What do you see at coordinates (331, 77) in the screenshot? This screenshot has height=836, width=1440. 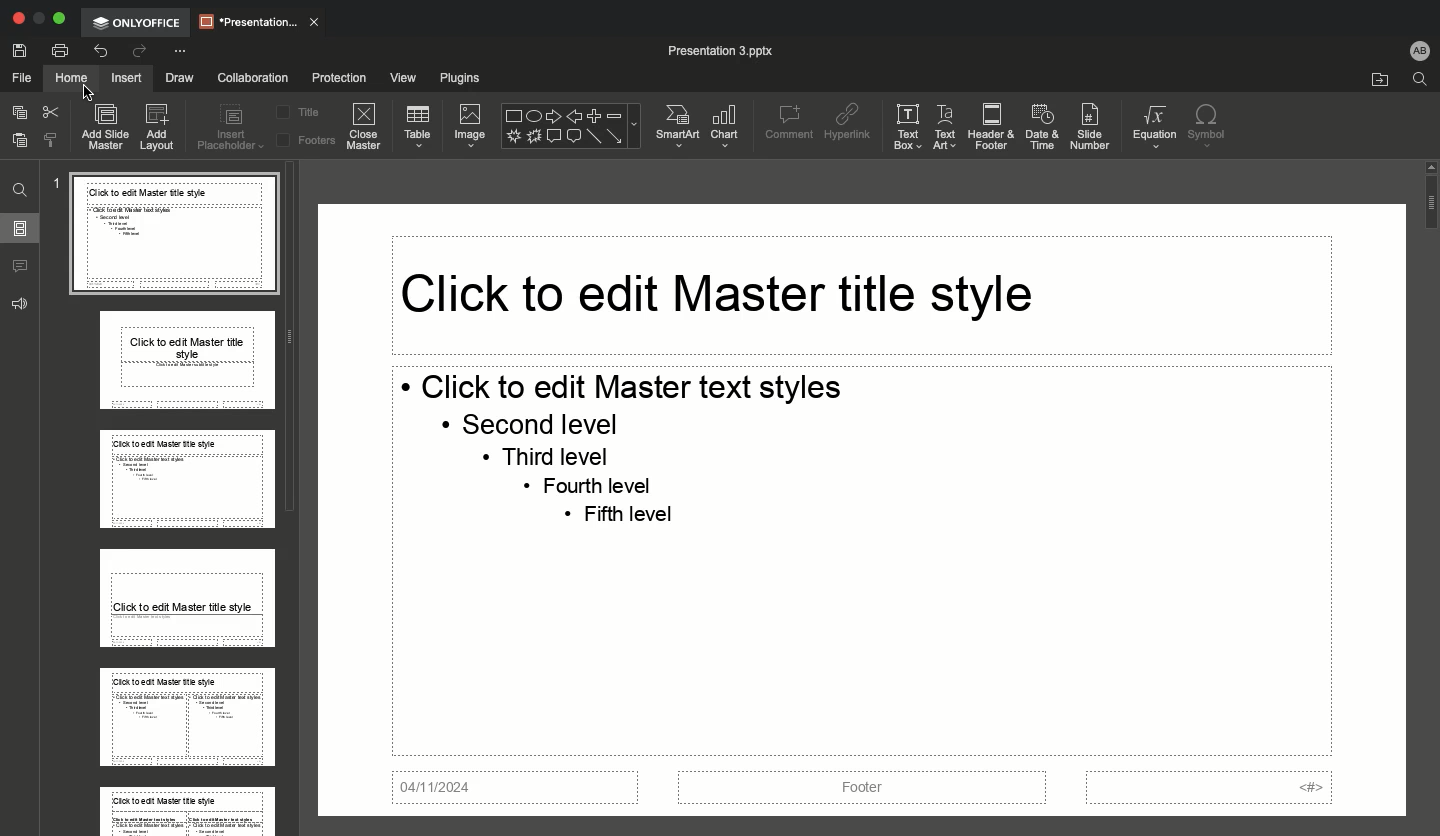 I see `Placeholder` at bounding box center [331, 77].